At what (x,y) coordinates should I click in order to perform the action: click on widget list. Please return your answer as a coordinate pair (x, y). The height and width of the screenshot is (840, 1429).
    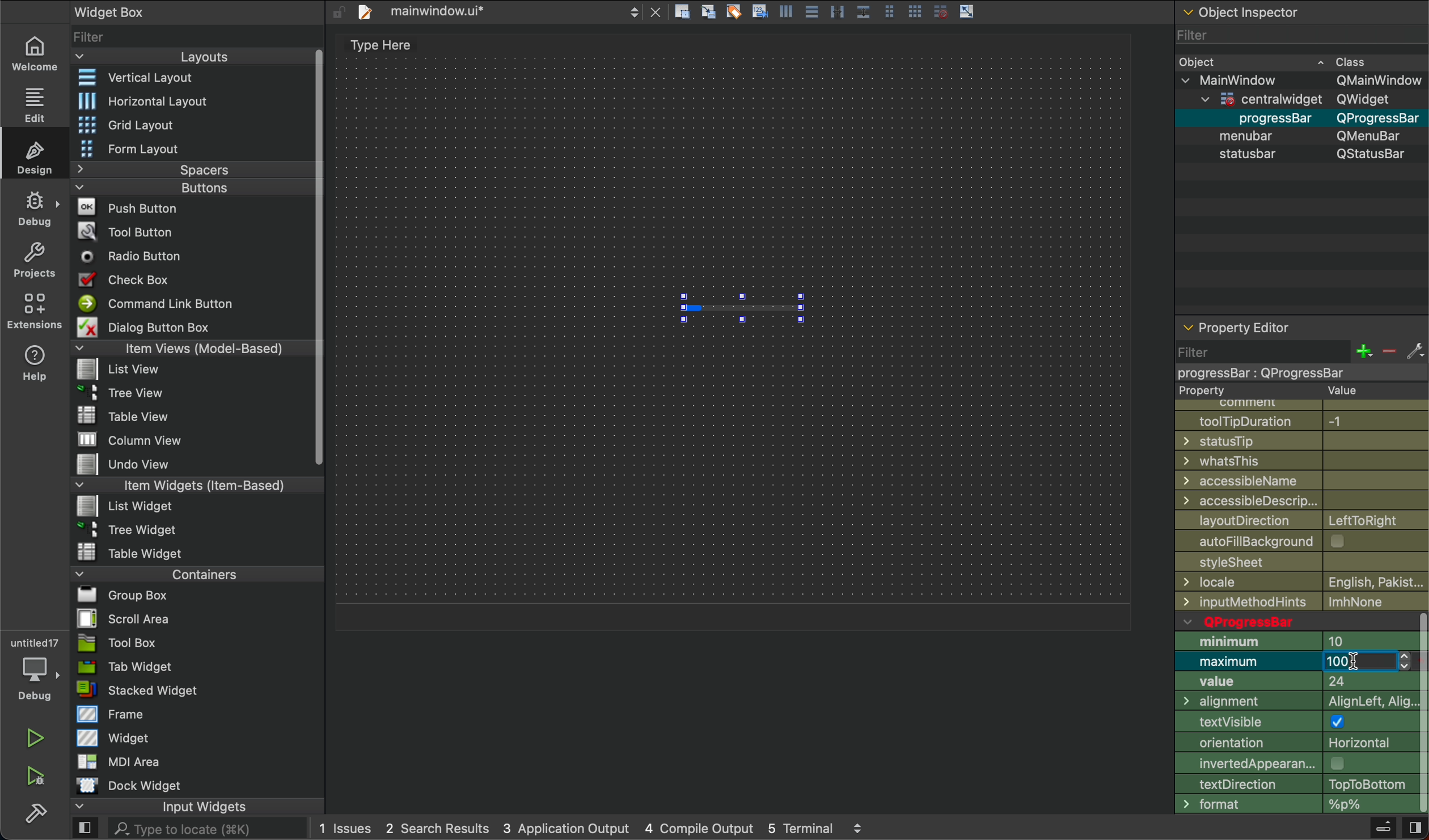
    Looking at the image, I should click on (191, 35).